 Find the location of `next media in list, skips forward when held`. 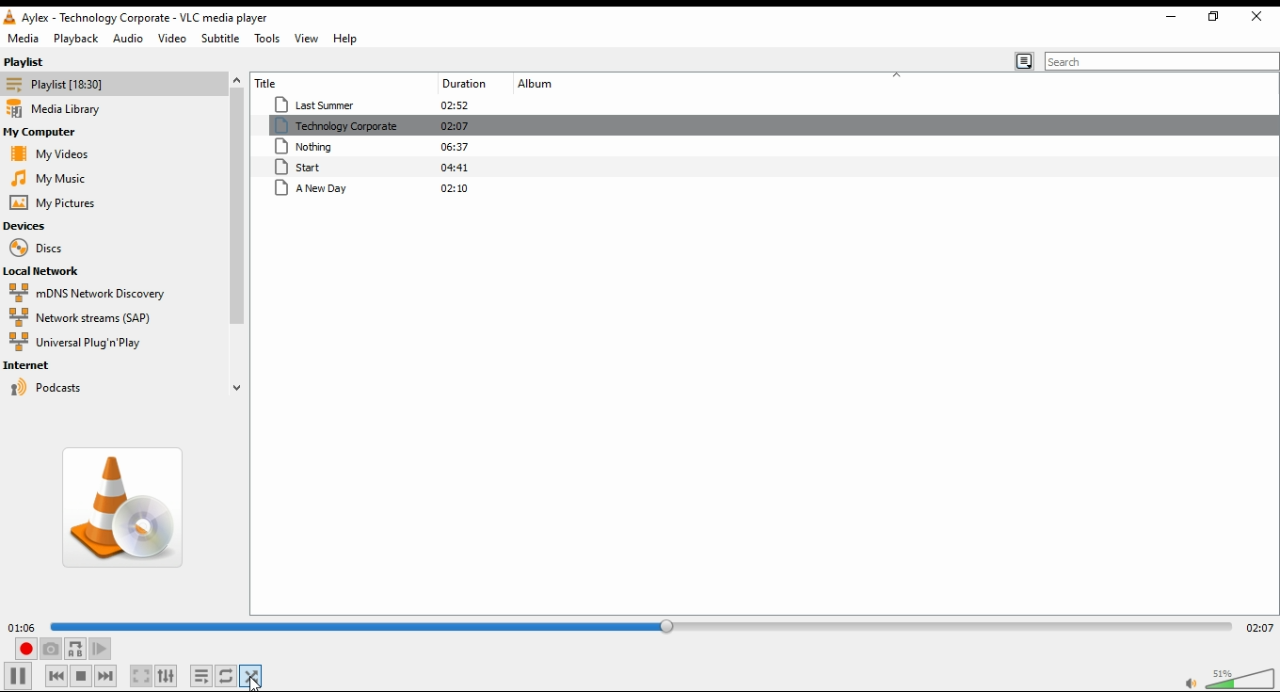

next media in list, skips forward when held is located at coordinates (106, 675).